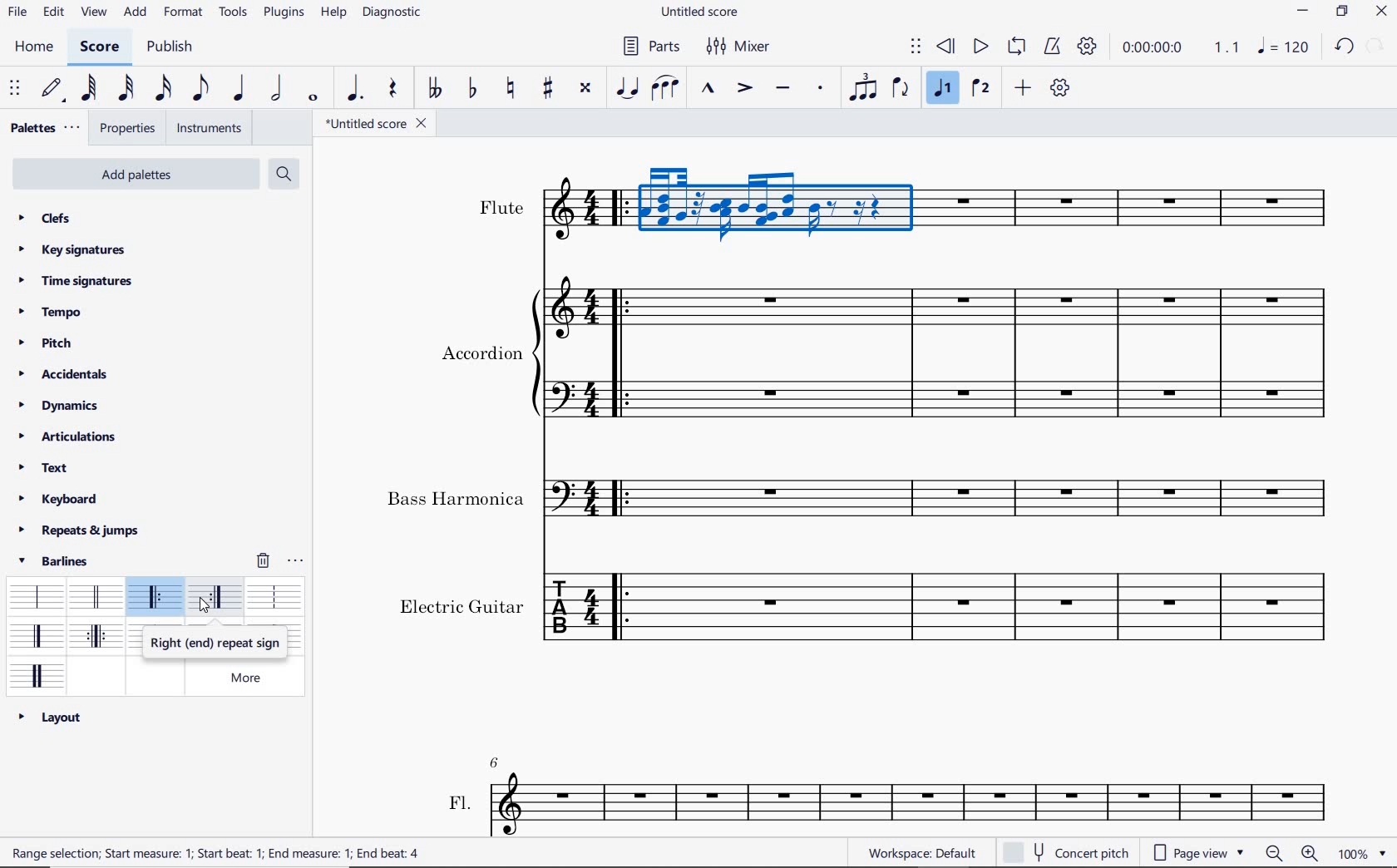 The width and height of the screenshot is (1397, 868). Describe the element at coordinates (37, 674) in the screenshot. I see `heavy double barline` at that location.